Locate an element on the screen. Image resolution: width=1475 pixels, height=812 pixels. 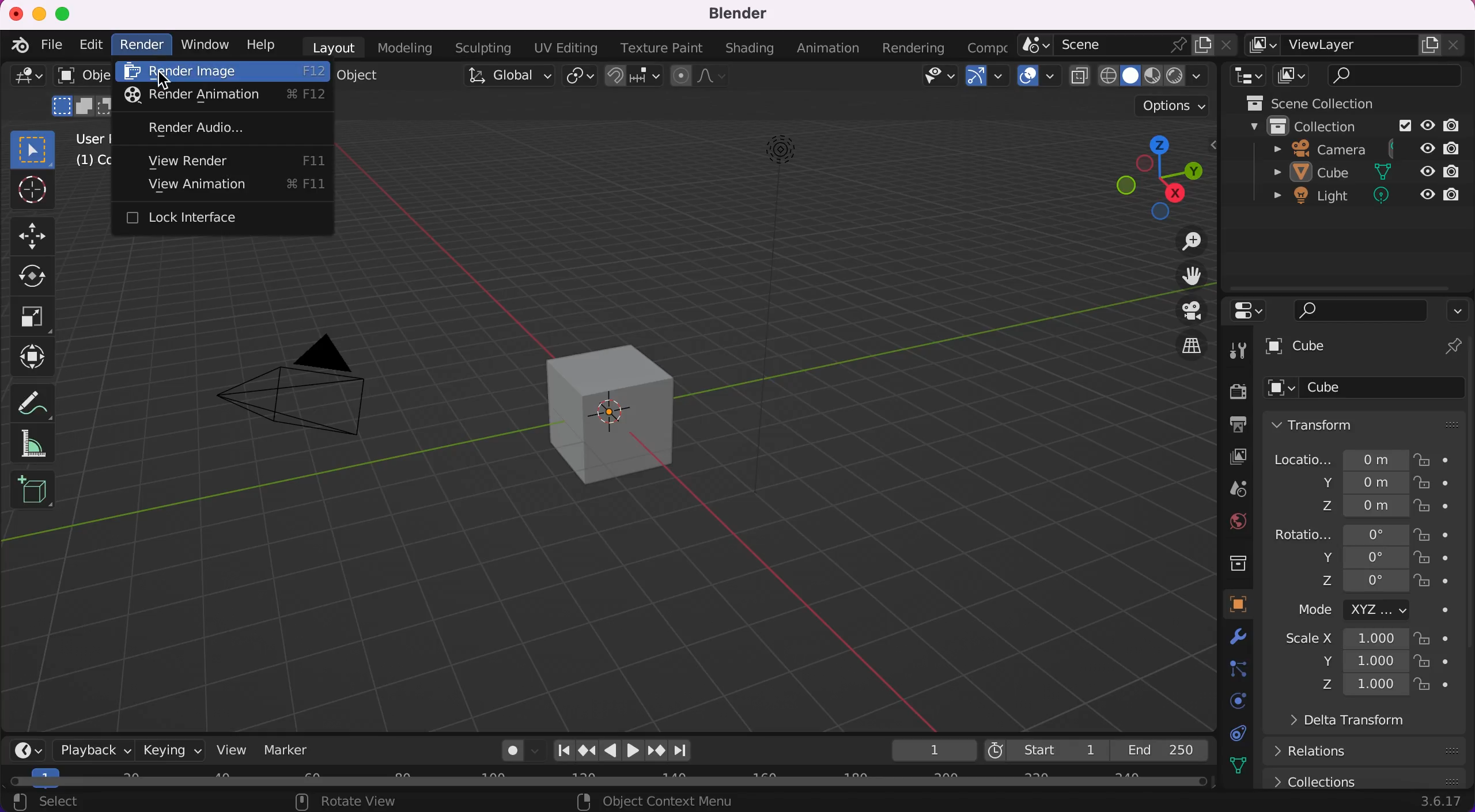
scale is located at coordinates (35, 317).